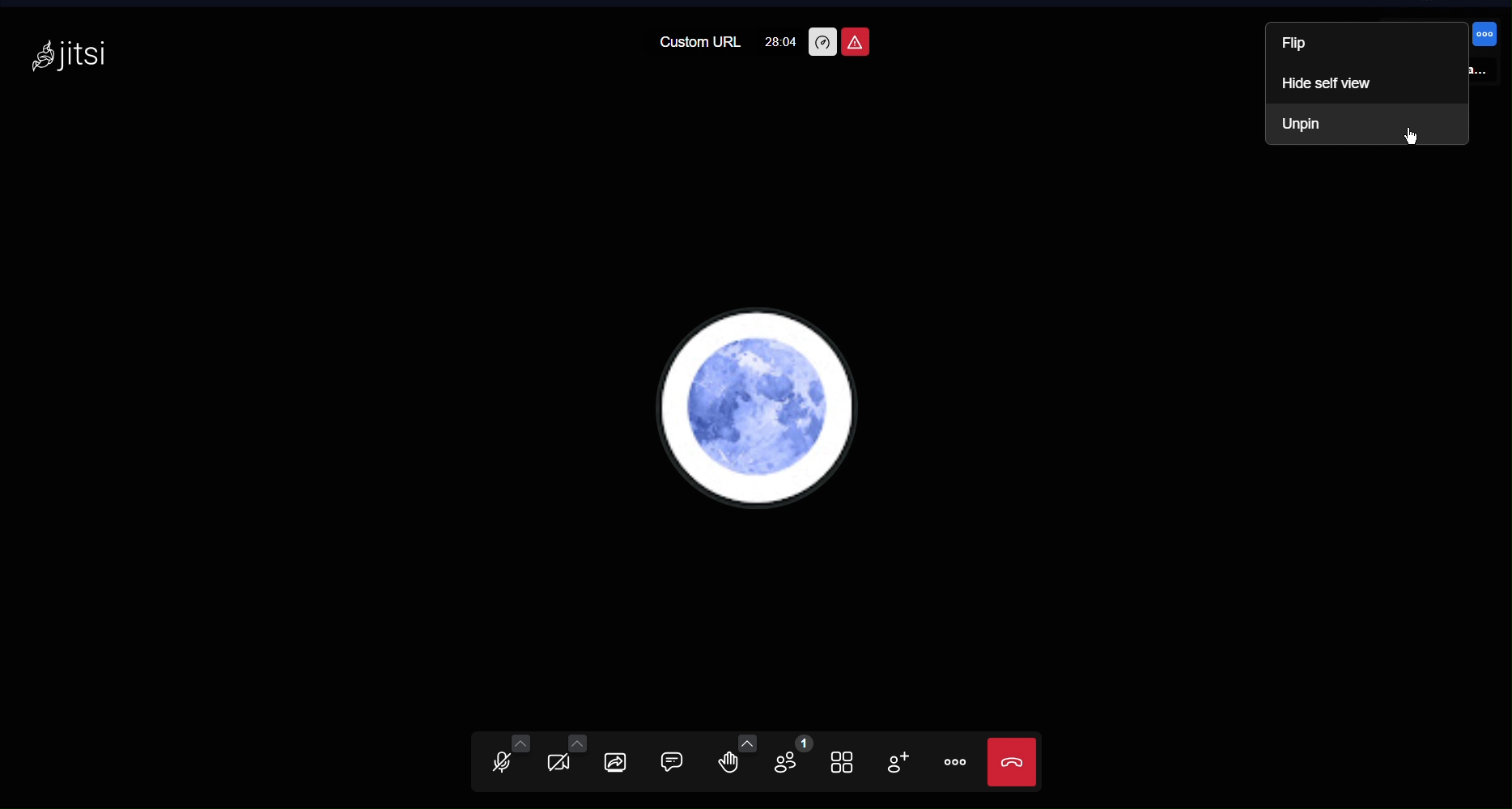 Image resolution: width=1512 pixels, height=809 pixels. What do you see at coordinates (822, 42) in the screenshot?
I see `Performance Settings` at bounding box center [822, 42].